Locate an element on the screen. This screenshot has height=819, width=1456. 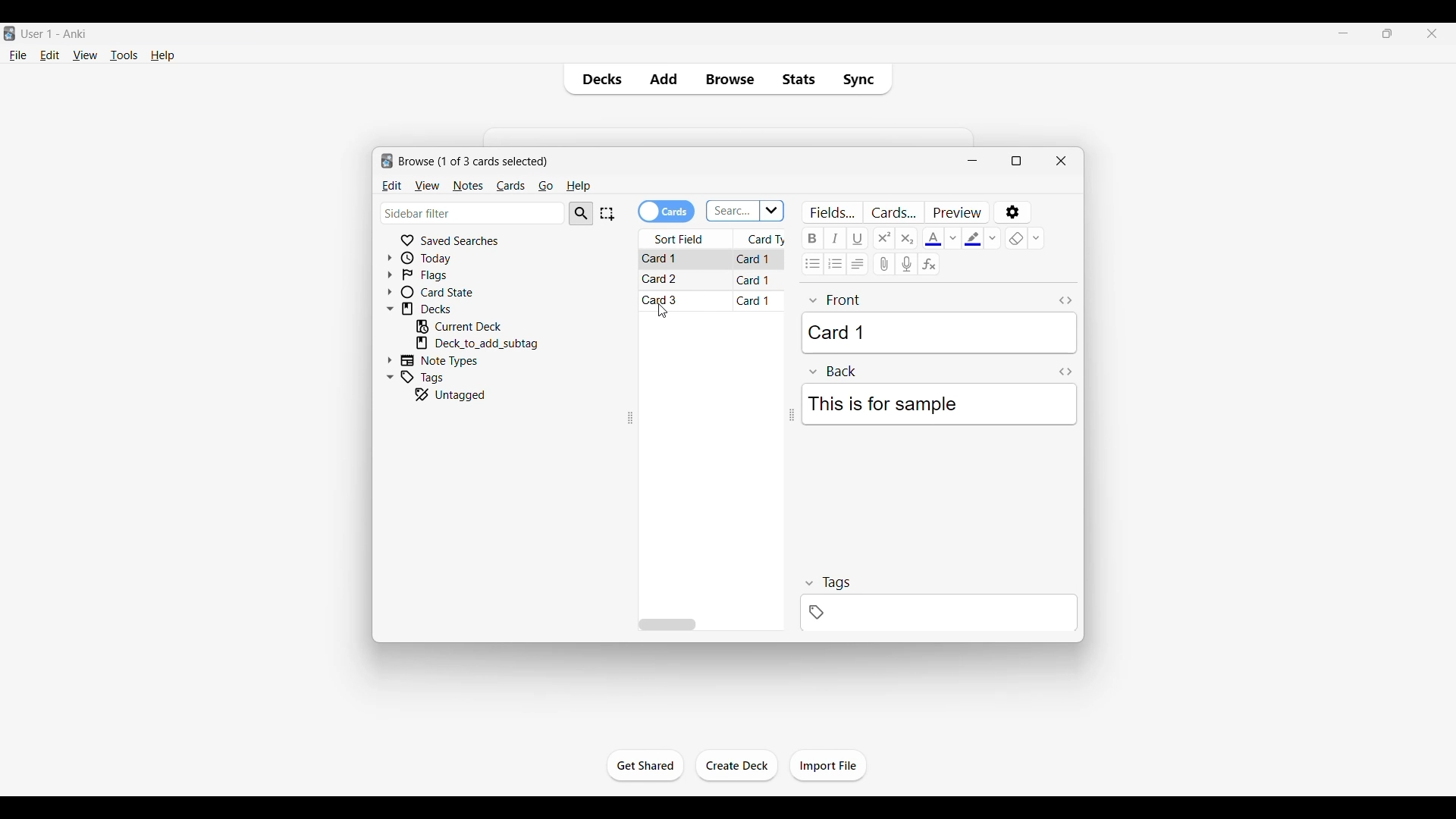
Click to type in search is located at coordinates (474, 212).